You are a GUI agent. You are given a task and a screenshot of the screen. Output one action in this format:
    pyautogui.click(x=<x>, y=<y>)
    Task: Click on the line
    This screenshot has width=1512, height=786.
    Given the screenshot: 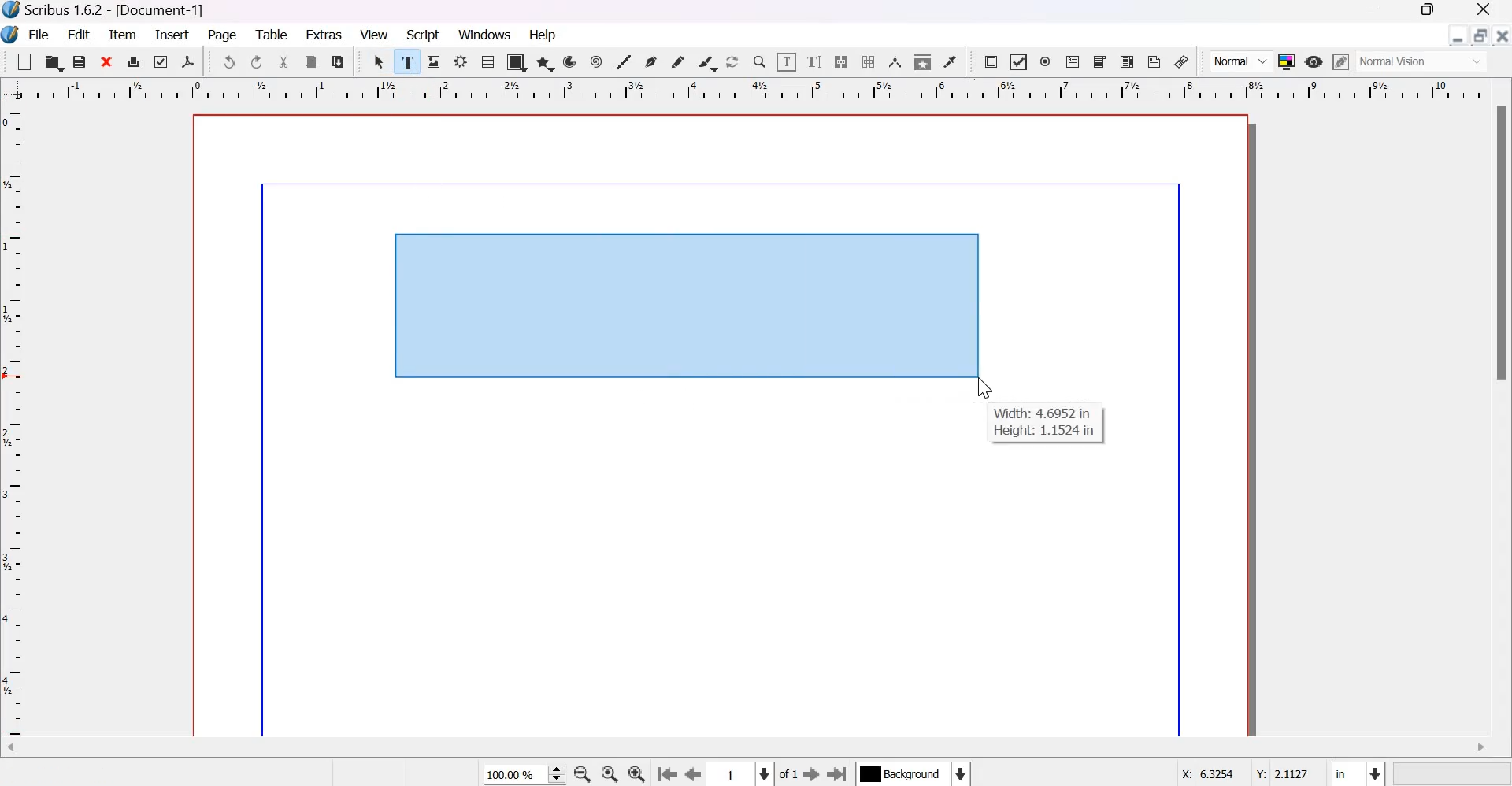 What is the action you would take?
    pyautogui.click(x=623, y=61)
    